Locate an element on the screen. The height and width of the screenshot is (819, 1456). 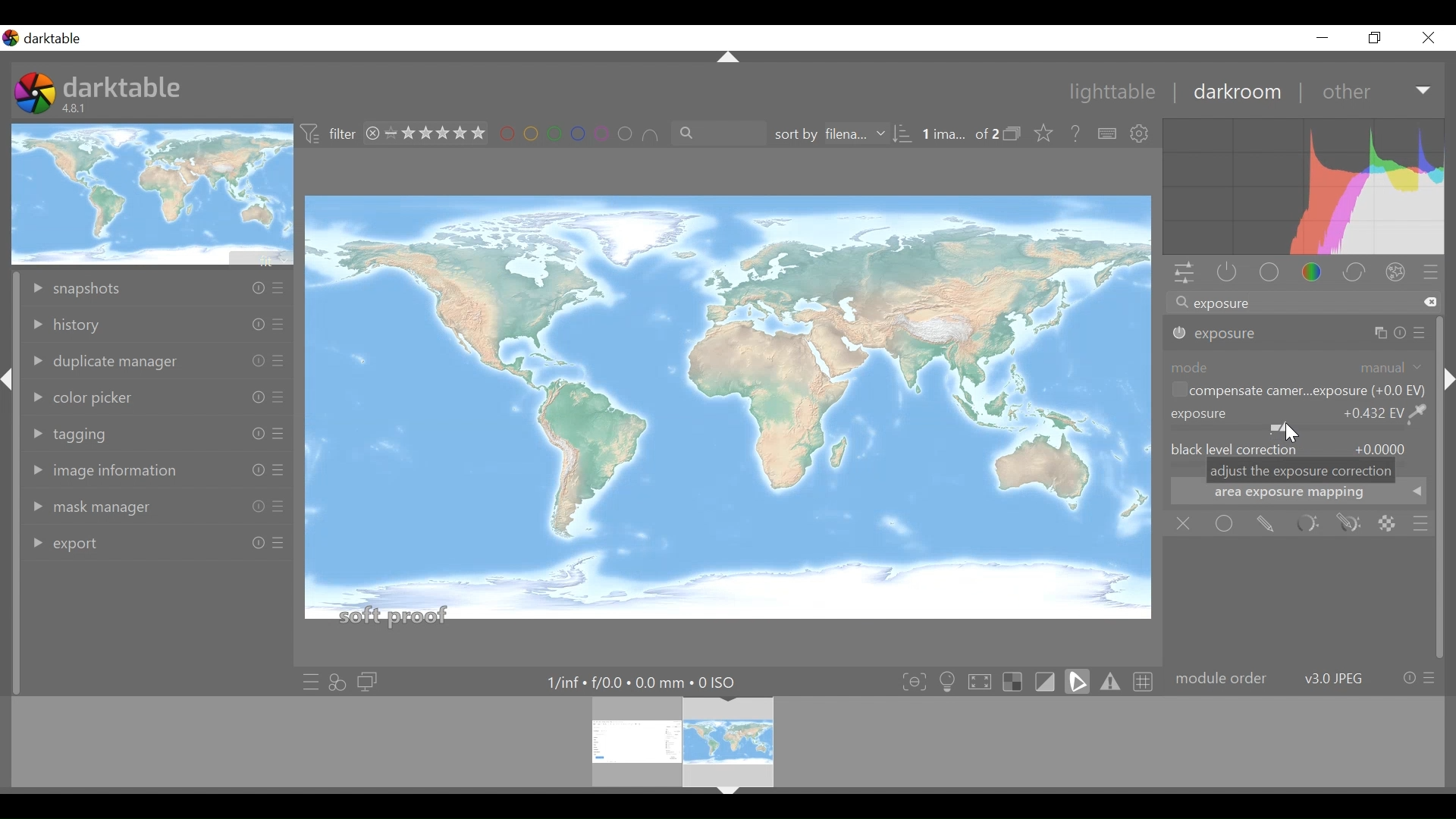
search module by name or  tag is located at coordinates (1302, 304).